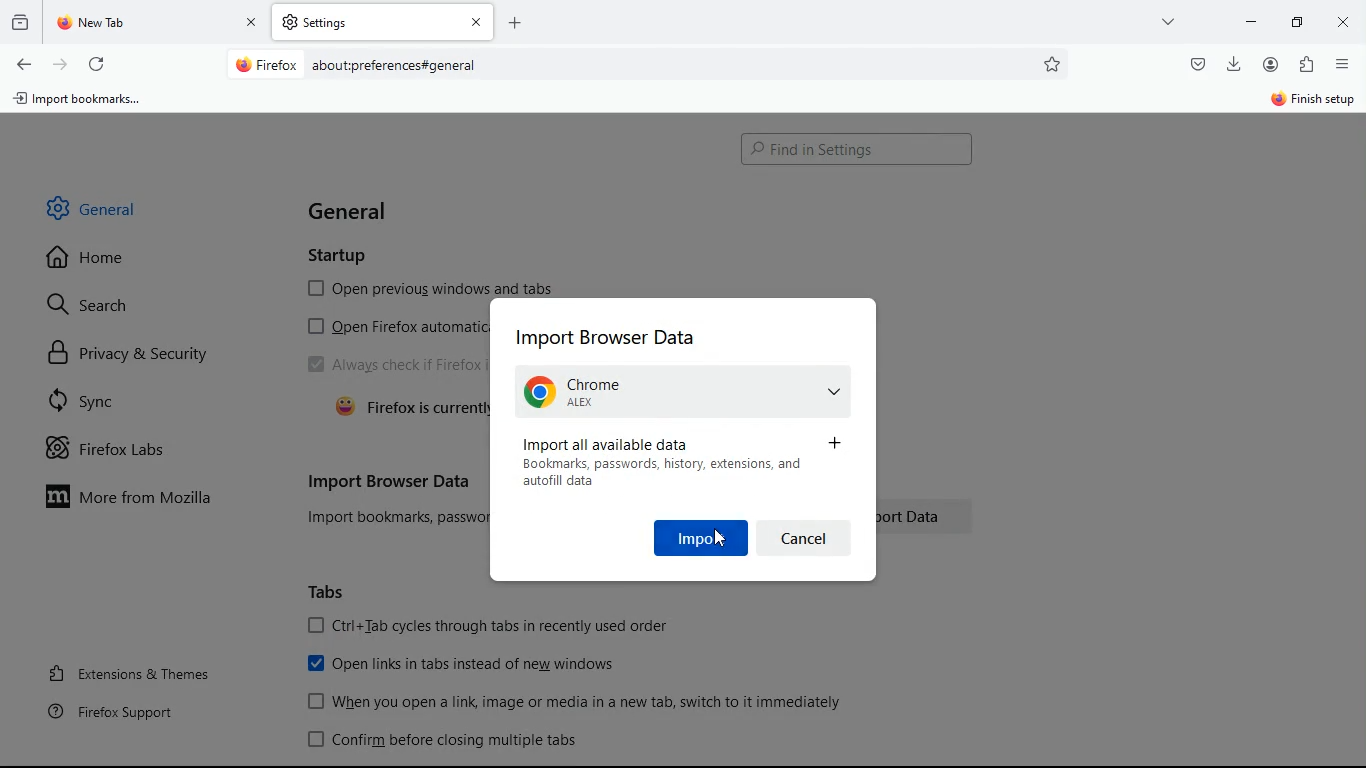 The image size is (1366, 768). I want to click on About:preferences, so click(366, 65).